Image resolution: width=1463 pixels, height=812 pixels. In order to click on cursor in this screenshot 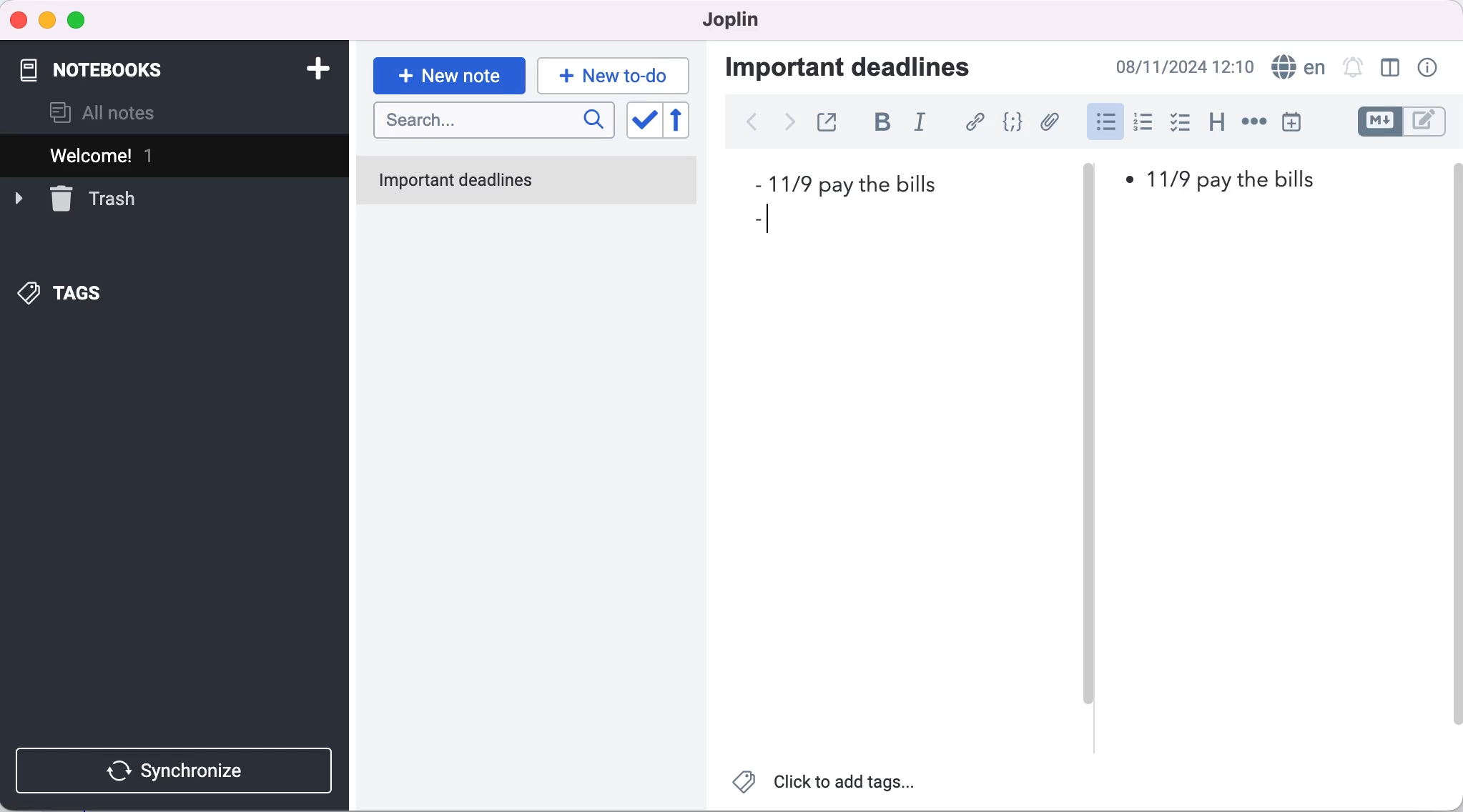, I will do `click(1105, 123)`.